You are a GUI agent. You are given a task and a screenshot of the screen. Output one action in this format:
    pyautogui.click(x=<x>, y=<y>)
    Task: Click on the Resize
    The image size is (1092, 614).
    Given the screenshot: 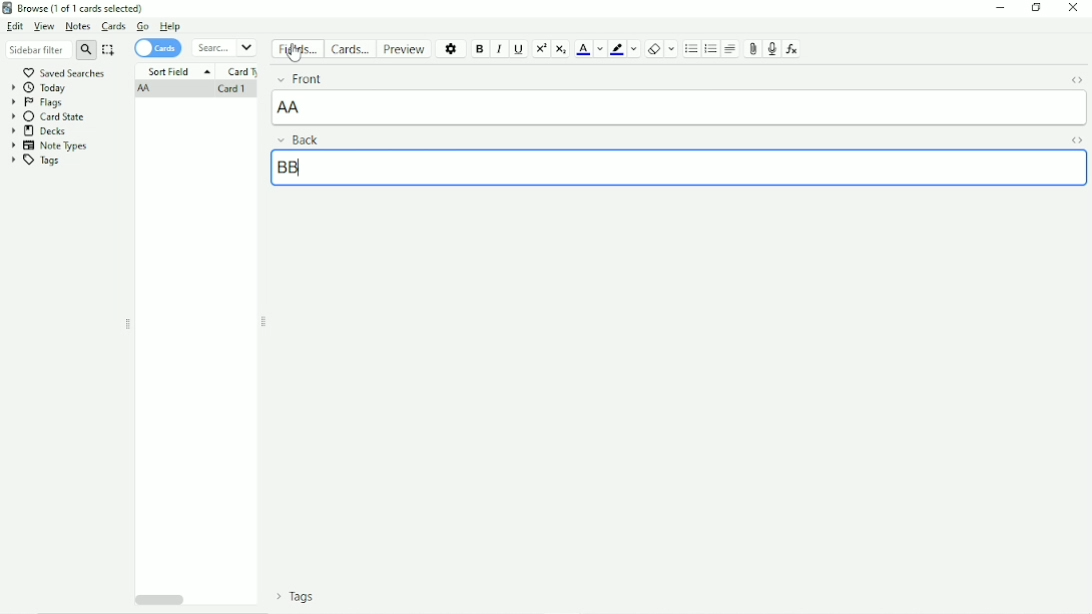 What is the action you would take?
    pyautogui.click(x=128, y=324)
    